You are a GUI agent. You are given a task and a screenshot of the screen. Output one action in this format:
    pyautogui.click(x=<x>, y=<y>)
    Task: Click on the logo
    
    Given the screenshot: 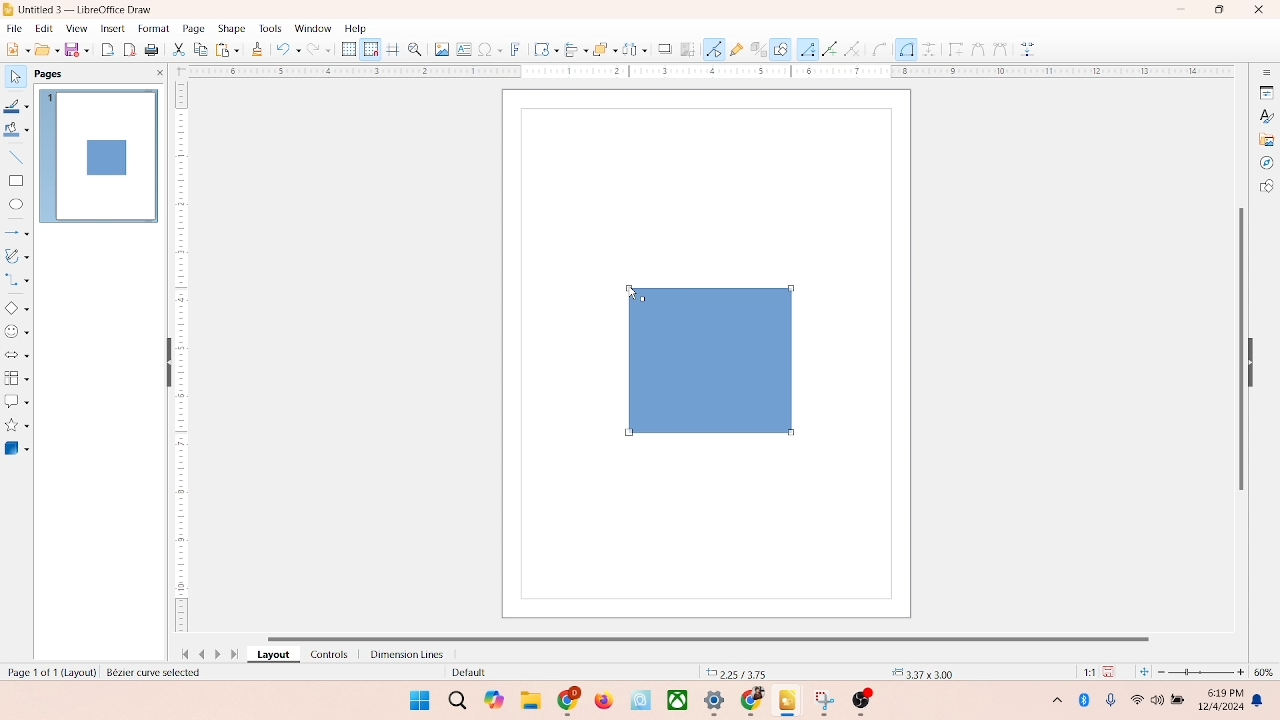 What is the action you would take?
    pyautogui.click(x=9, y=9)
    